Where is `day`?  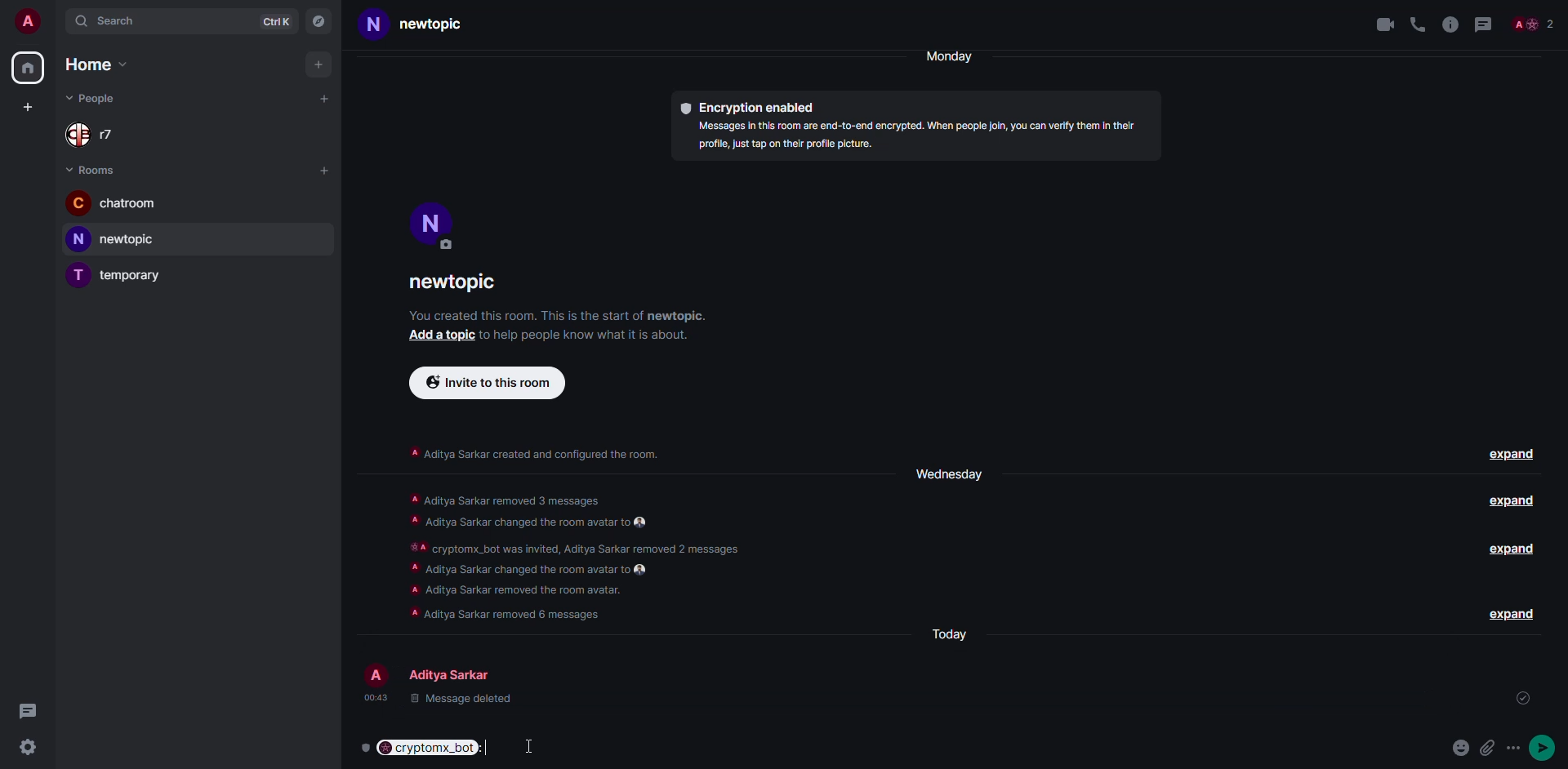 day is located at coordinates (956, 56).